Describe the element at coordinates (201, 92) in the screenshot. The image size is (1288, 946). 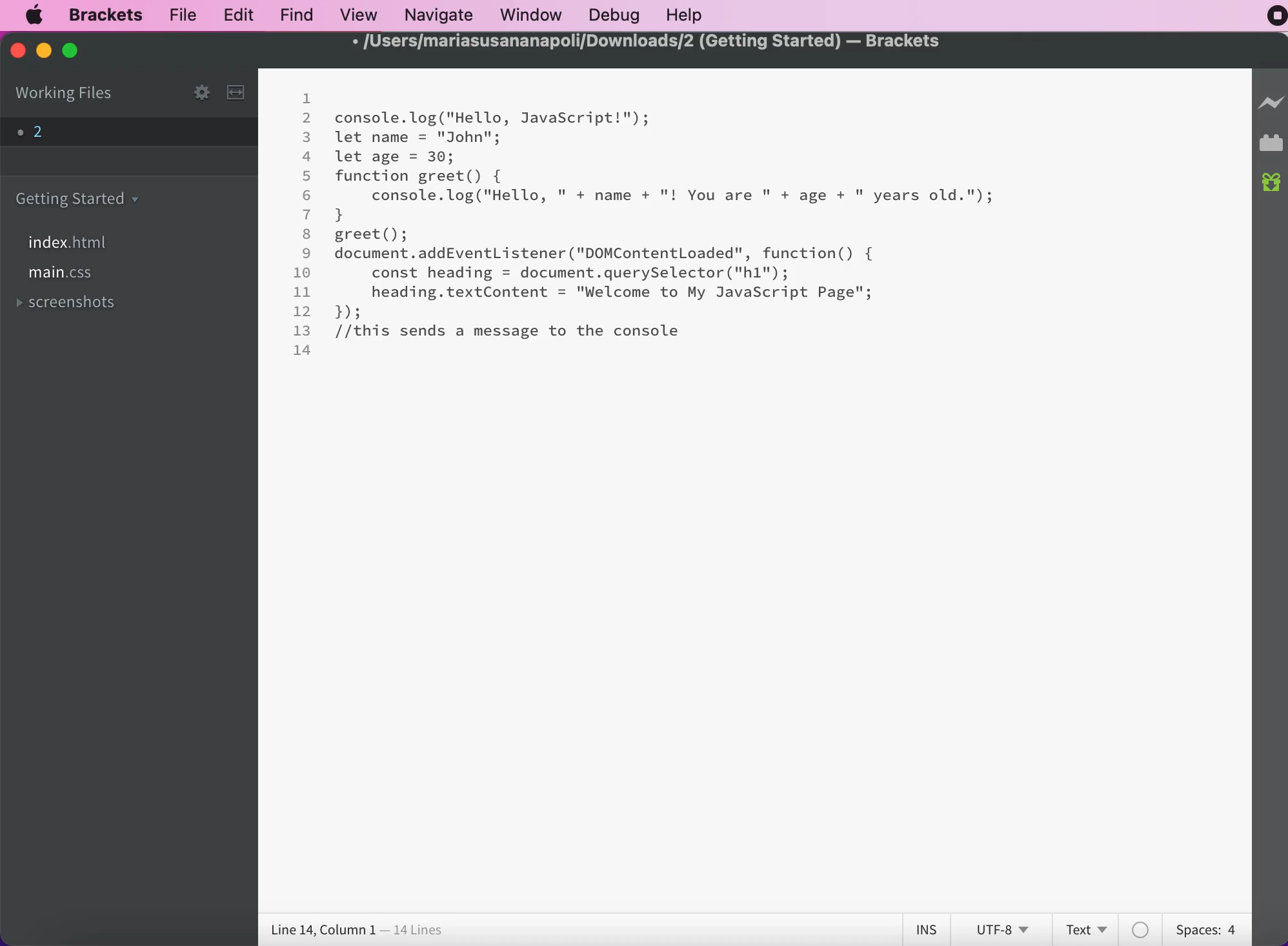
I see `configure working set` at that location.